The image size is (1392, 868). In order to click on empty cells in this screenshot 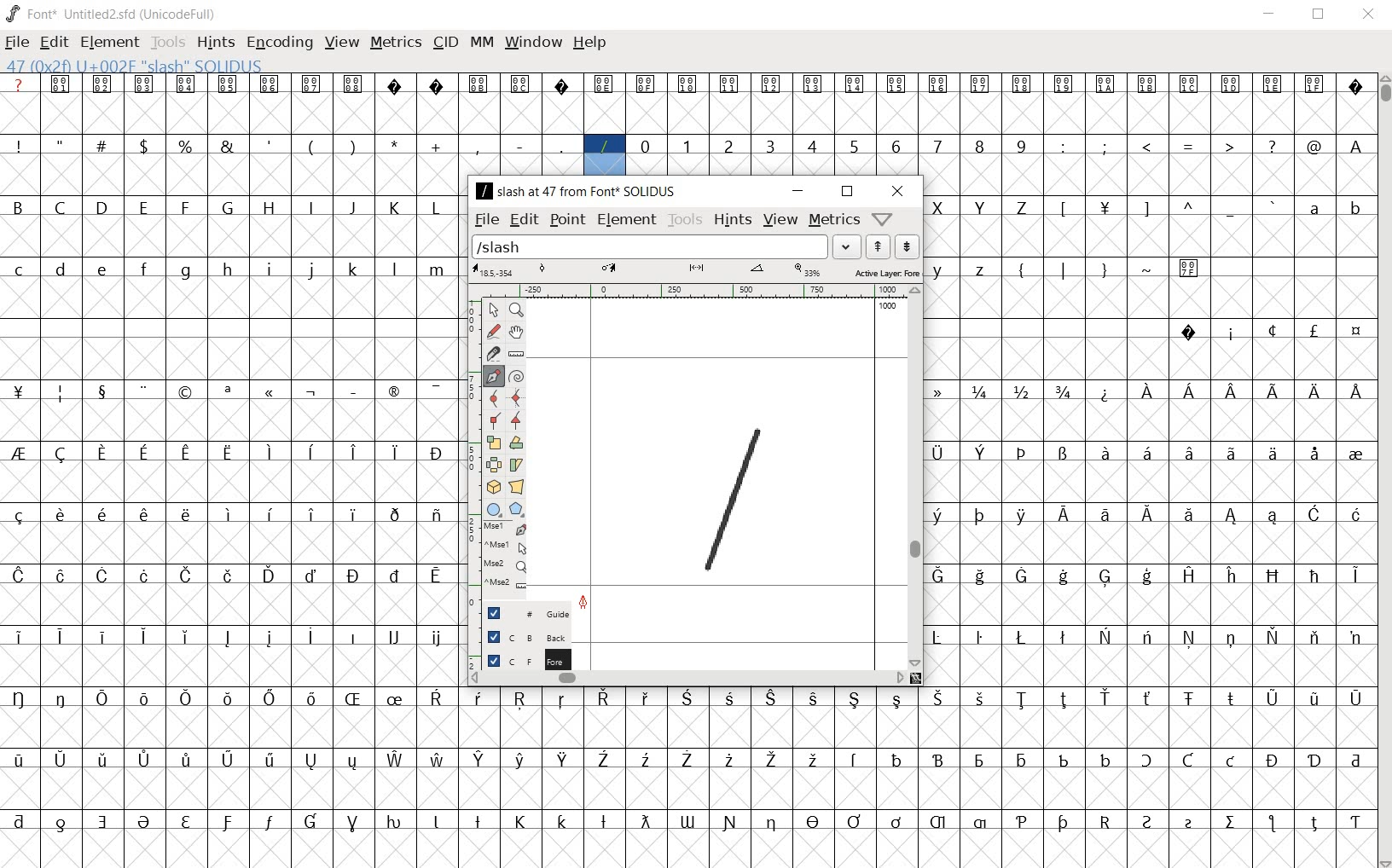, I will do `click(235, 543)`.